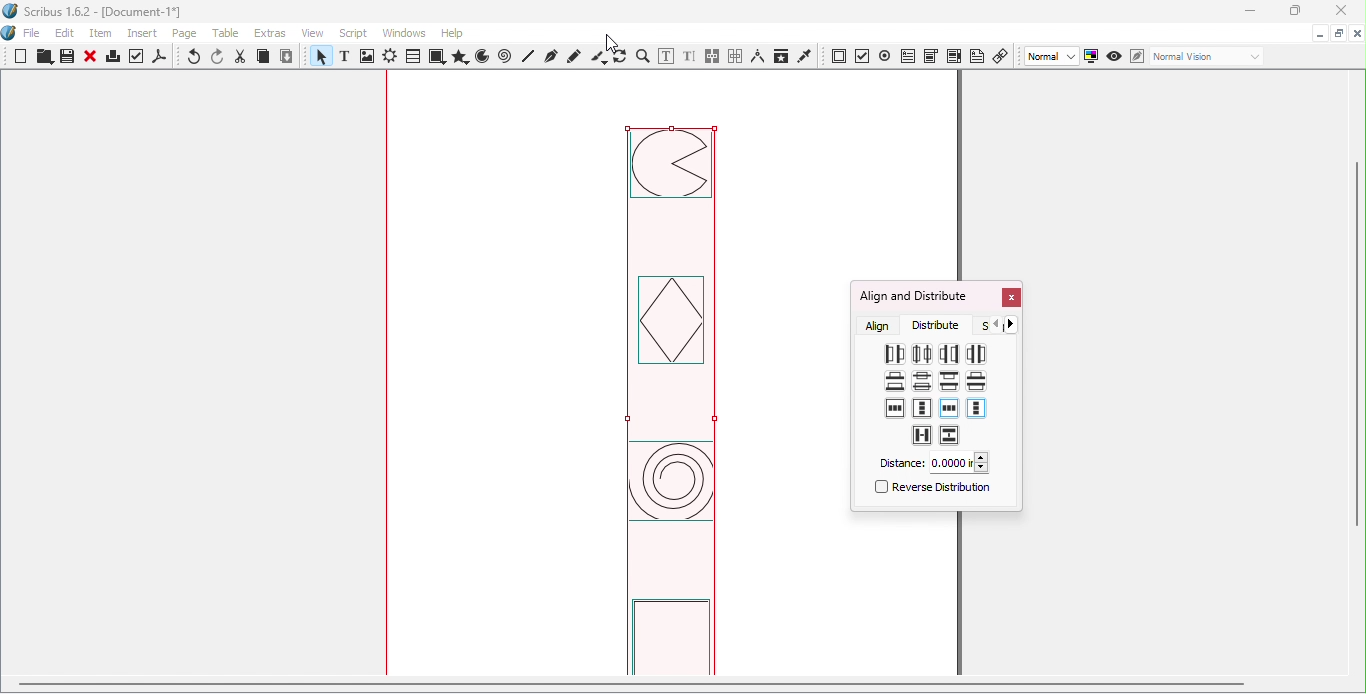 The image size is (1366, 694). I want to click on Make vertical gaps between items and the top and bottom of the page equal, so click(922, 408).